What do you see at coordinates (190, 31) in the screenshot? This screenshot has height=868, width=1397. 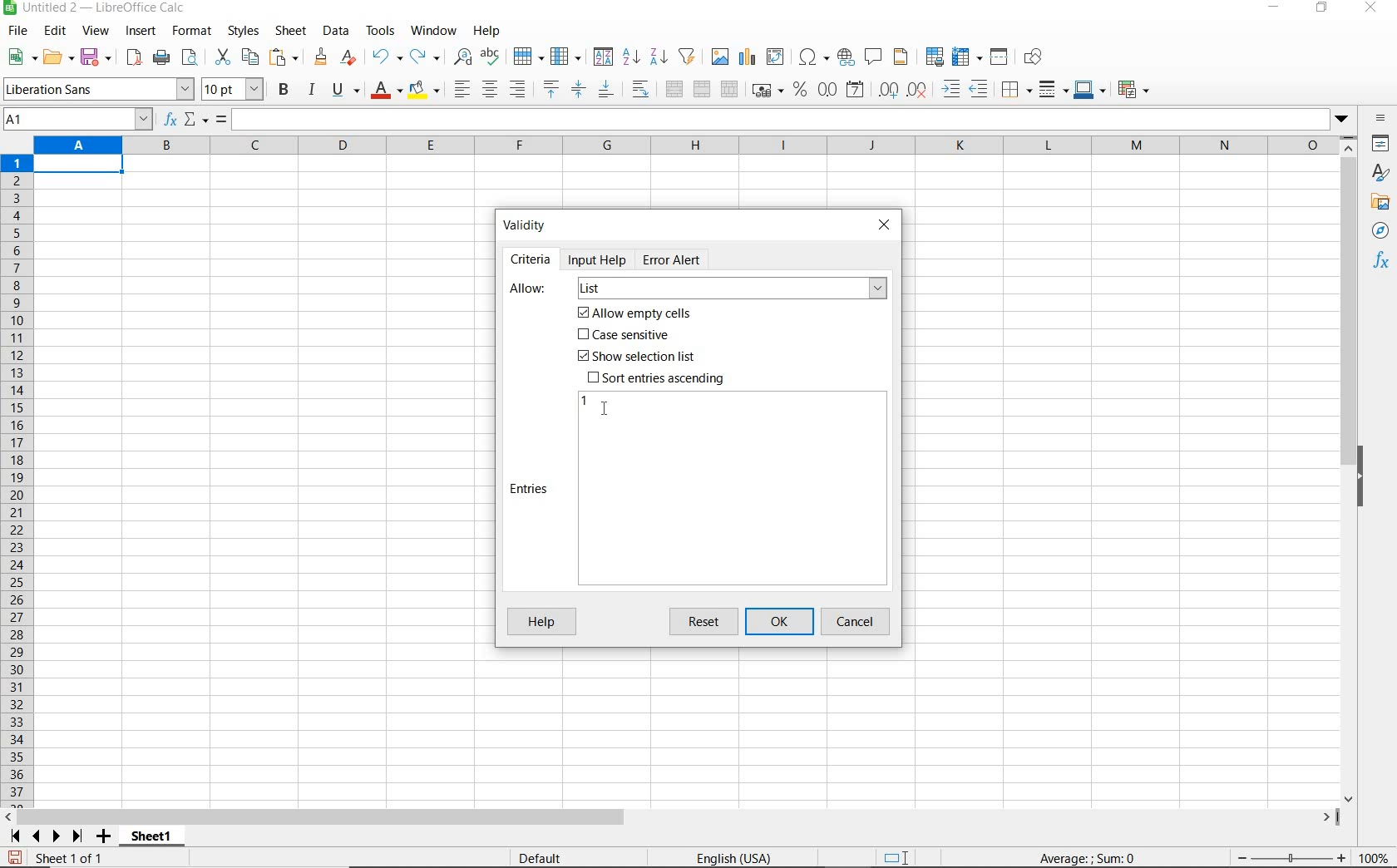 I see `format` at bounding box center [190, 31].